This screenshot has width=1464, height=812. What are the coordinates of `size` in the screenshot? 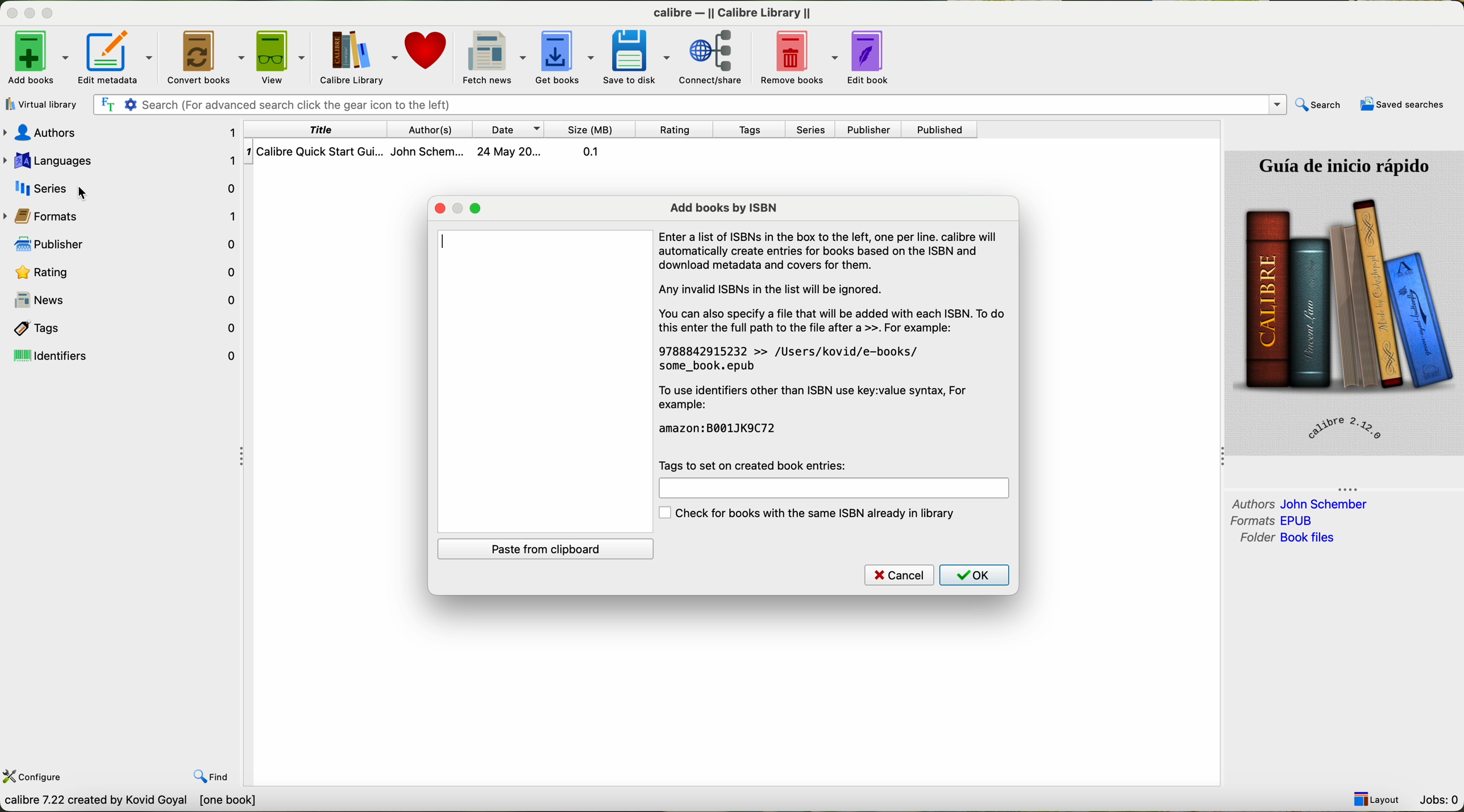 It's located at (593, 129).